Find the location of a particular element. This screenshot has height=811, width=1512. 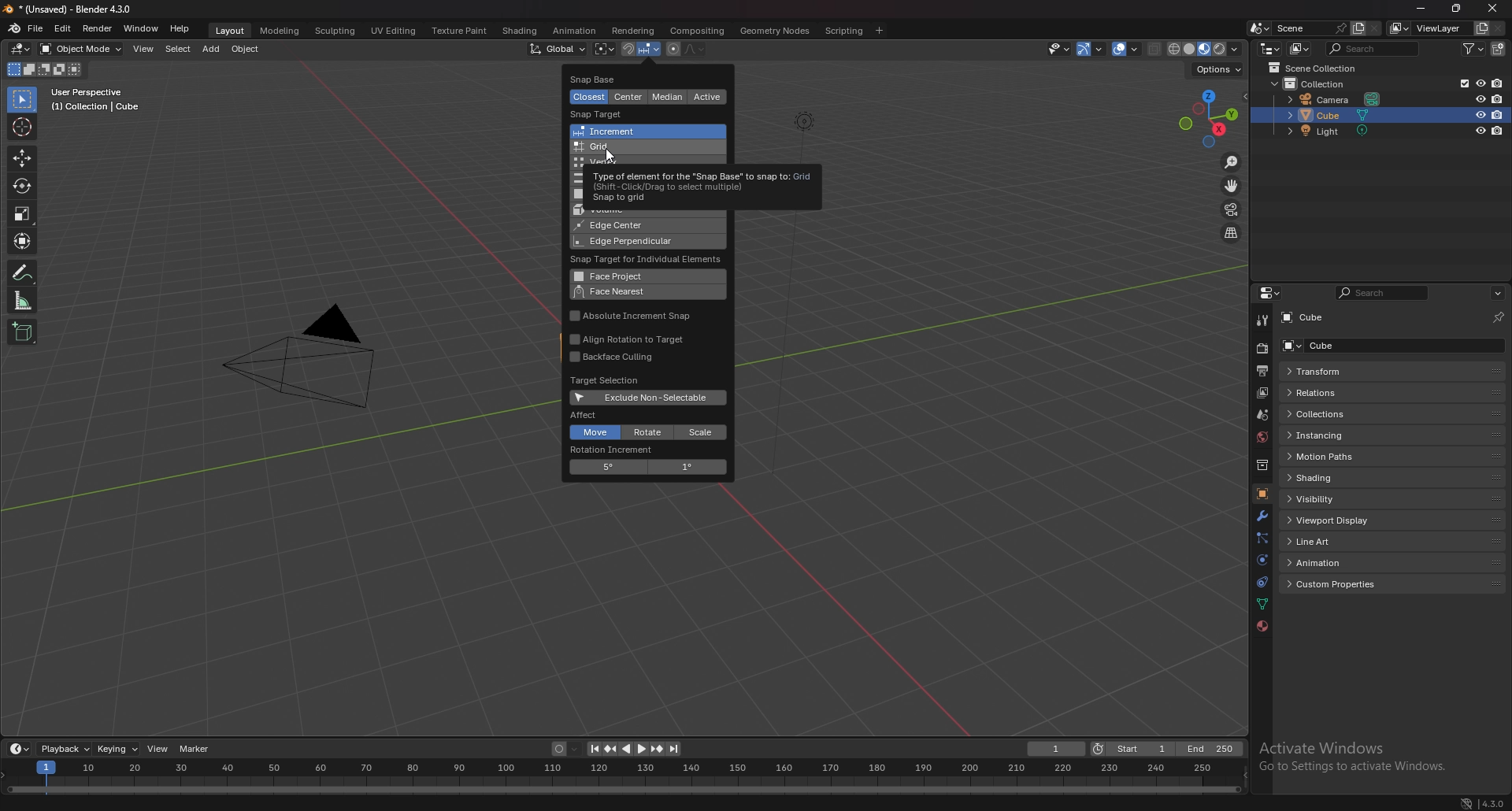

select is located at coordinates (177, 49).